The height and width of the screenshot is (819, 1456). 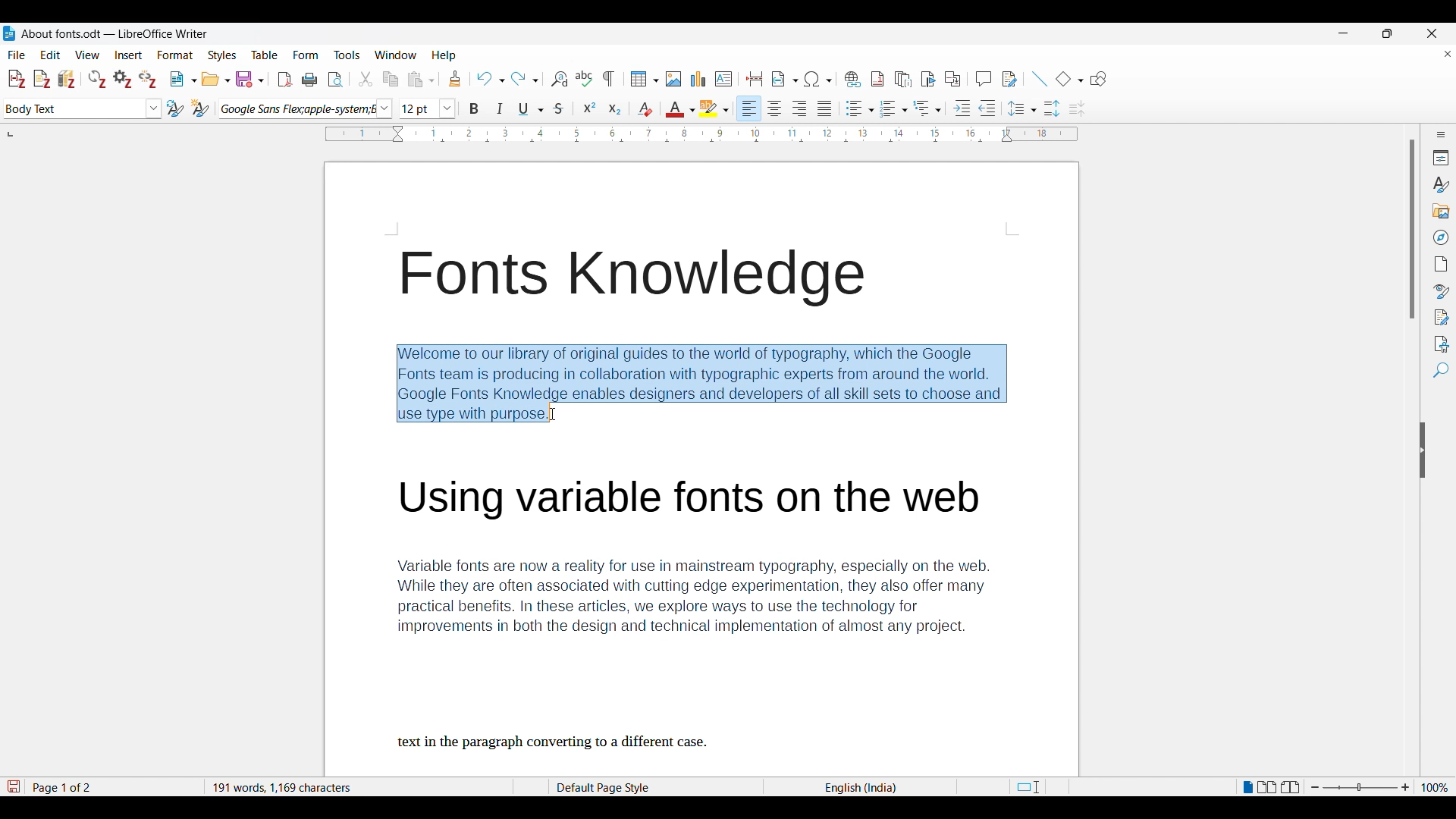 What do you see at coordinates (674, 79) in the screenshot?
I see `Insert image` at bounding box center [674, 79].